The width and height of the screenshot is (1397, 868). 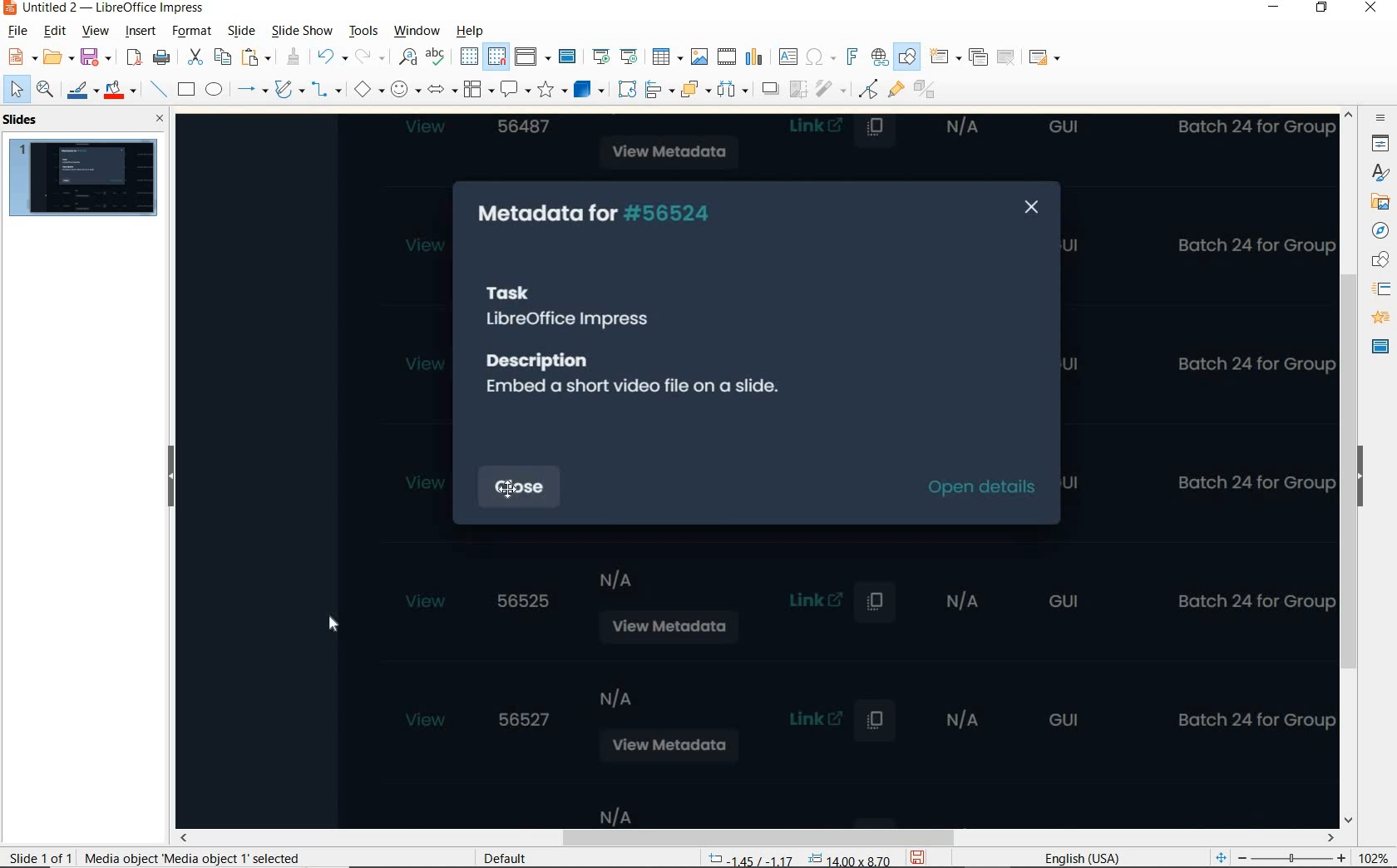 What do you see at coordinates (531, 55) in the screenshot?
I see `DISPLAY VIEWS` at bounding box center [531, 55].